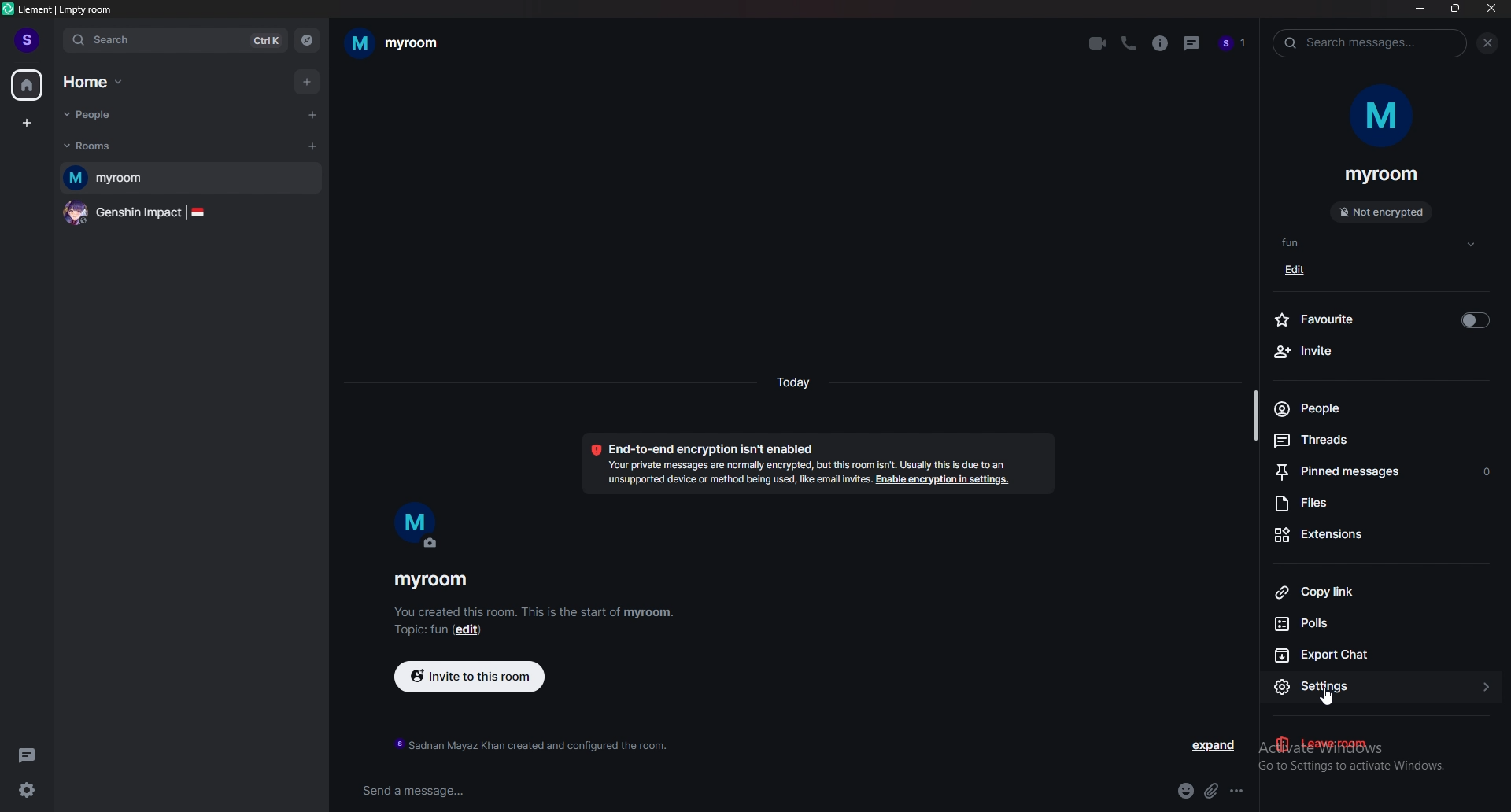 The height and width of the screenshot is (812, 1511). I want to click on people, so click(106, 113).